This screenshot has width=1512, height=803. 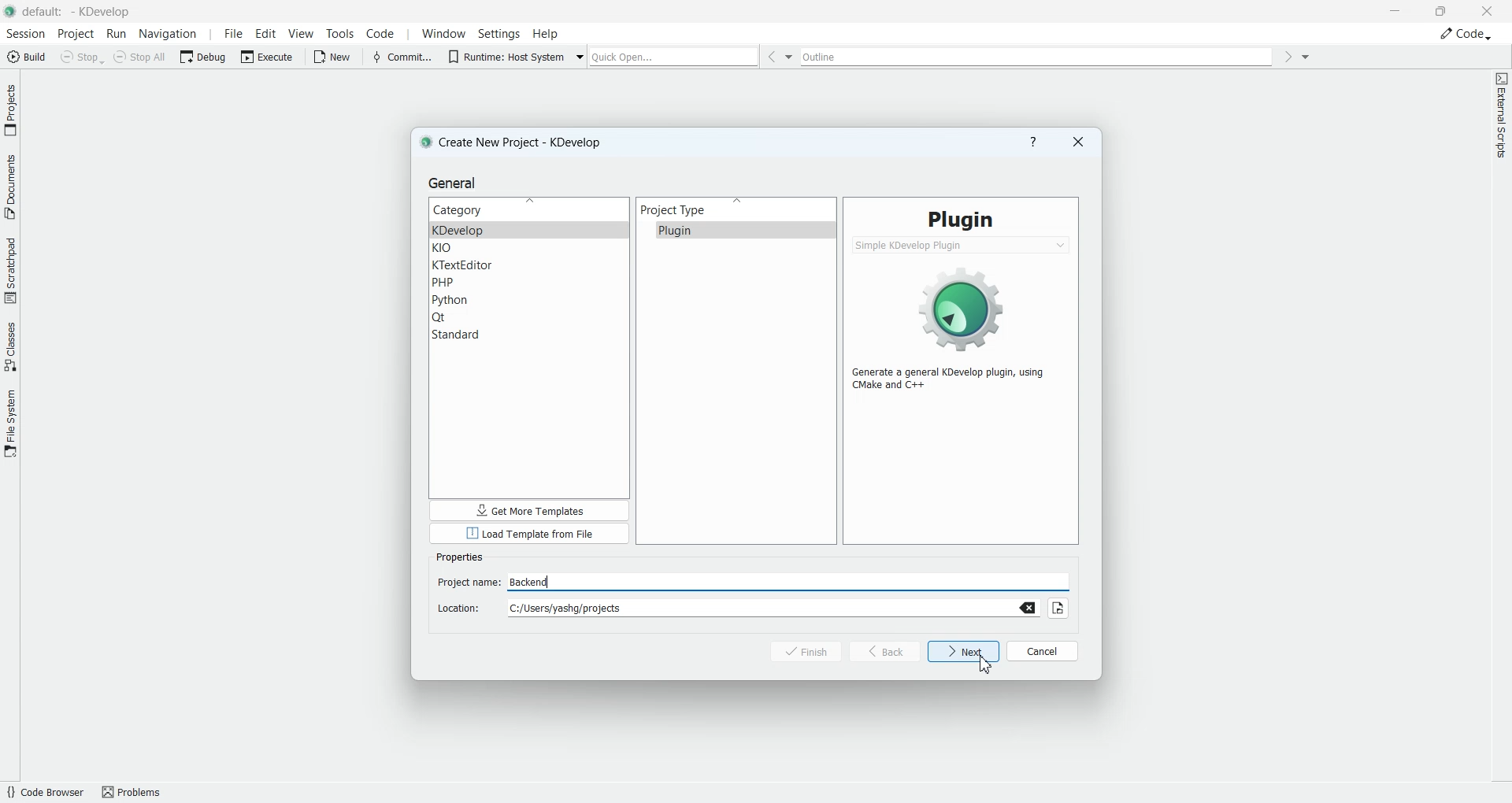 I want to click on Plugin, so click(x=736, y=230).